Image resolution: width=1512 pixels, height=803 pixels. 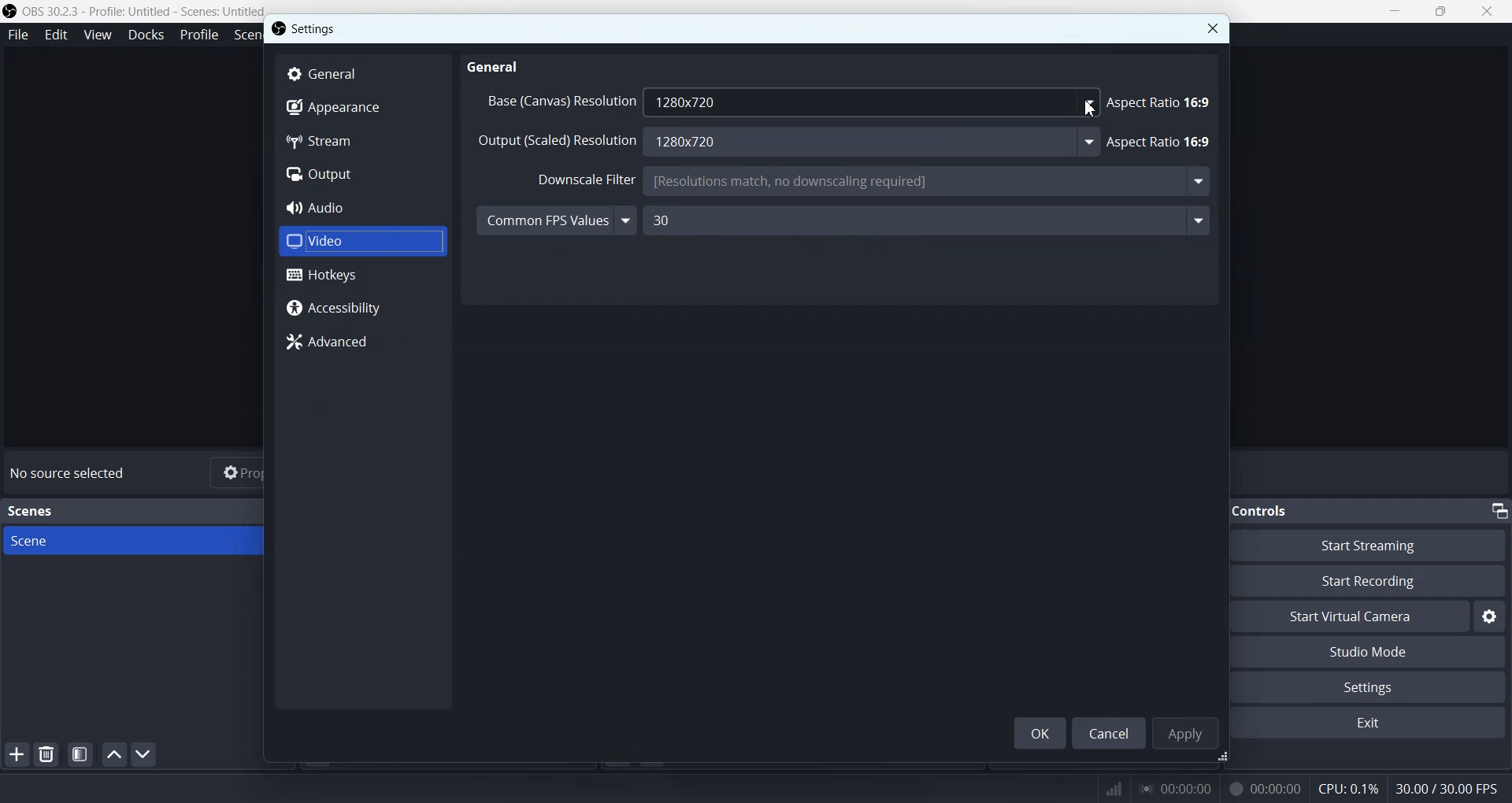 I want to click on play time, so click(x=1177, y=788).